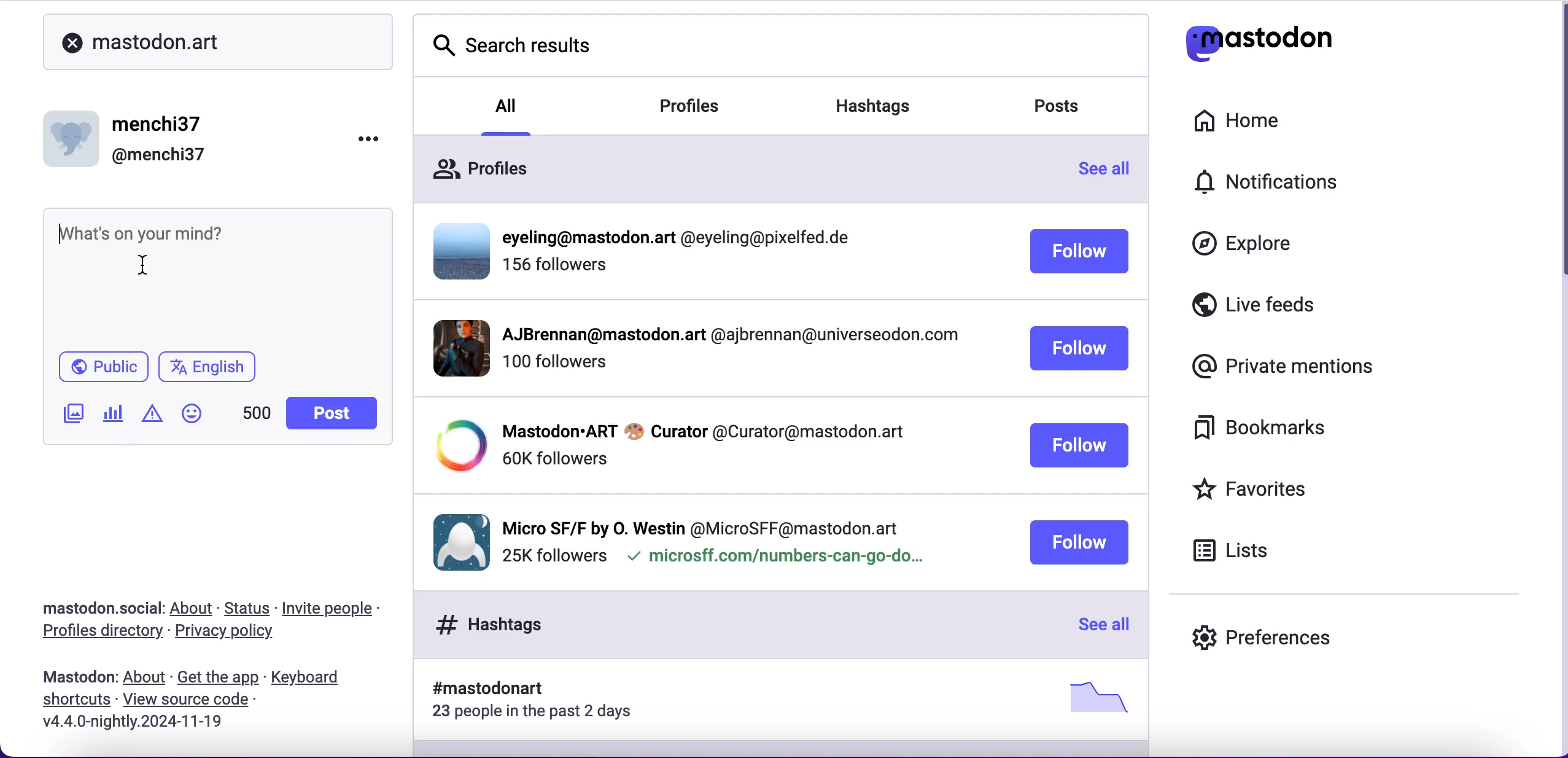 This screenshot has height=758, width=1568. I want to click on mastodon.social, so click(96, 605).